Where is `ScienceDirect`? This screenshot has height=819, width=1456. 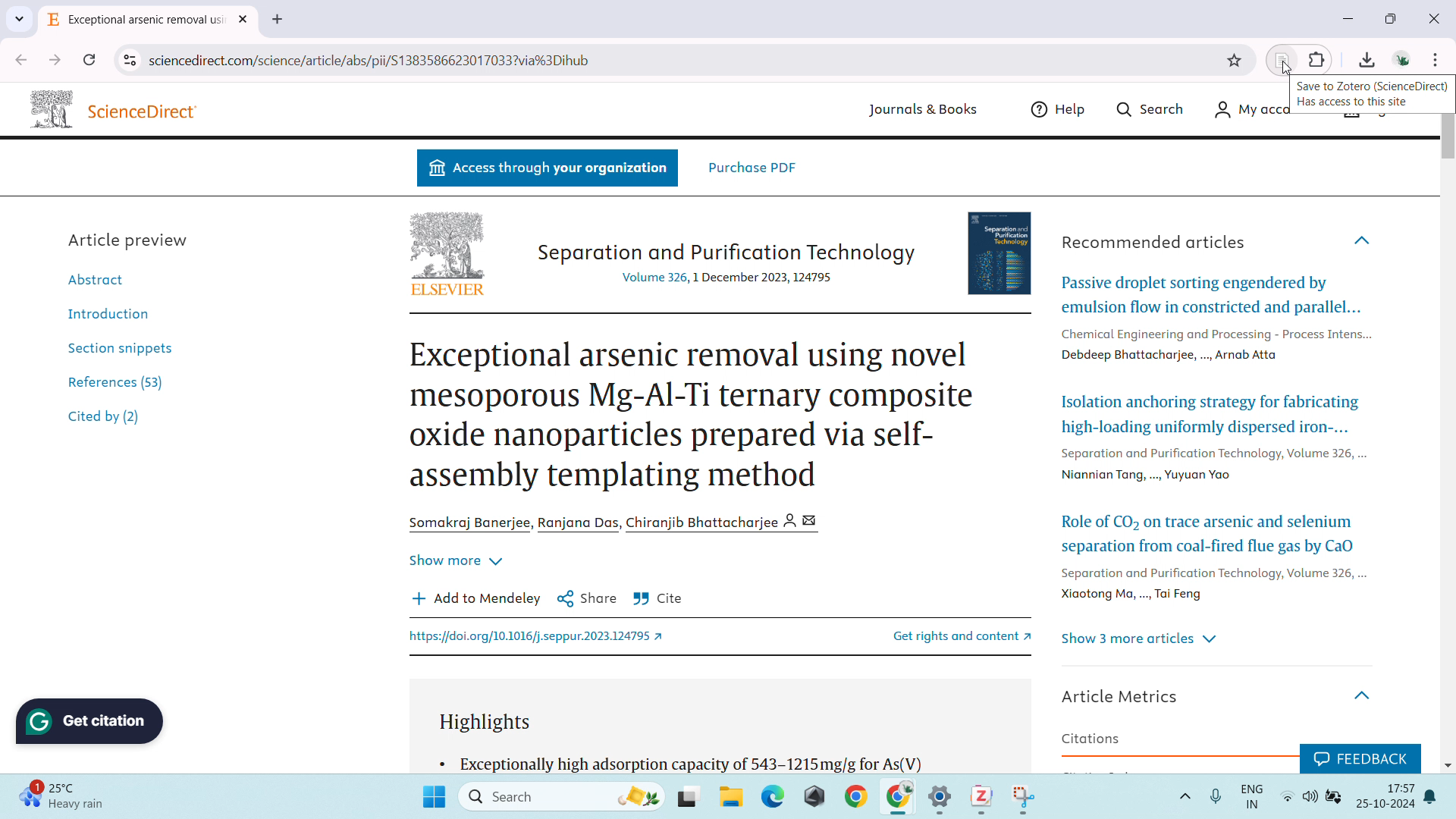 ScienceDirect is located at coordinates (146, 111).